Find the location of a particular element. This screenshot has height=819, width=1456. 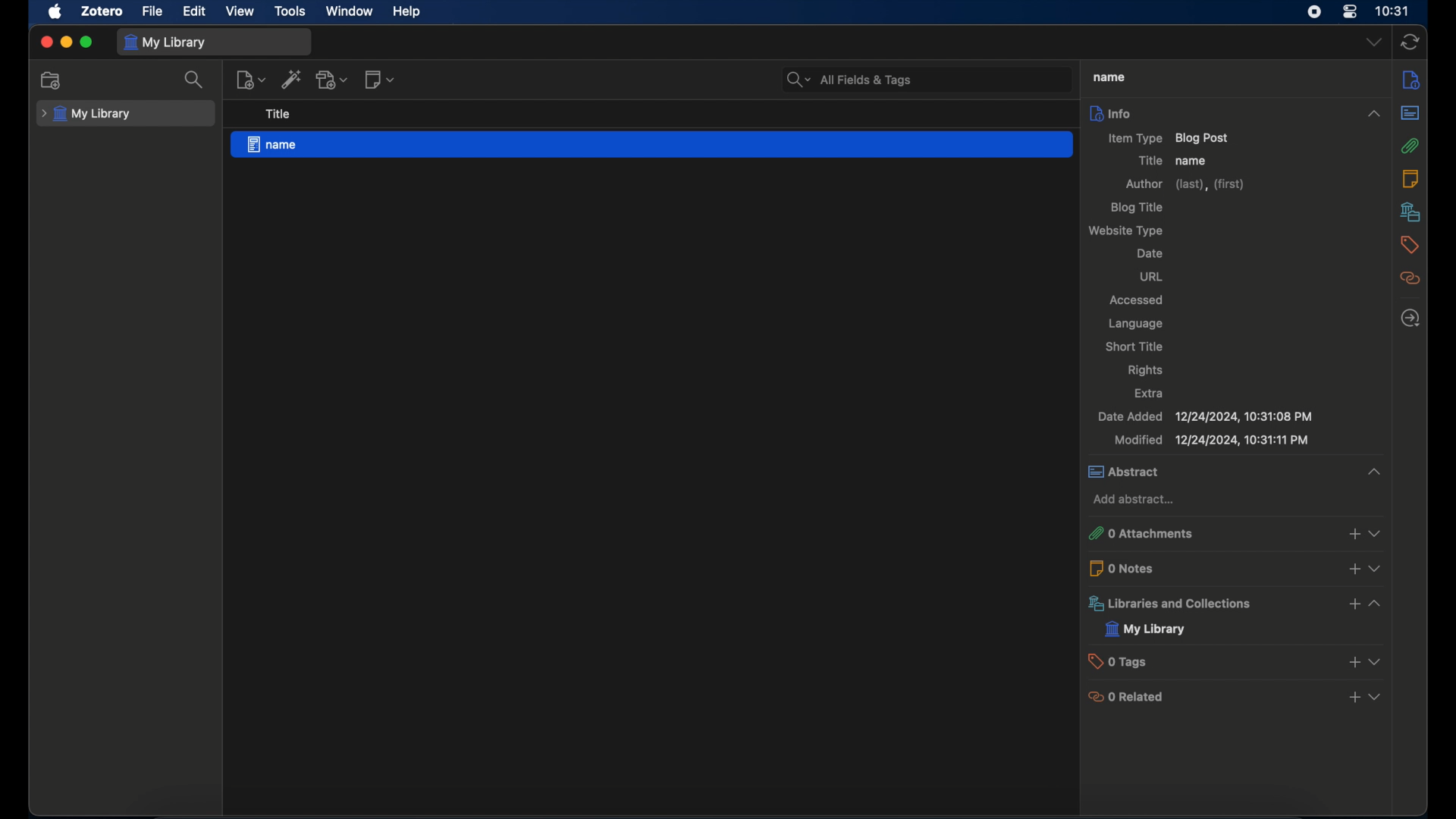

zotero is located at coordinates (102, 11).